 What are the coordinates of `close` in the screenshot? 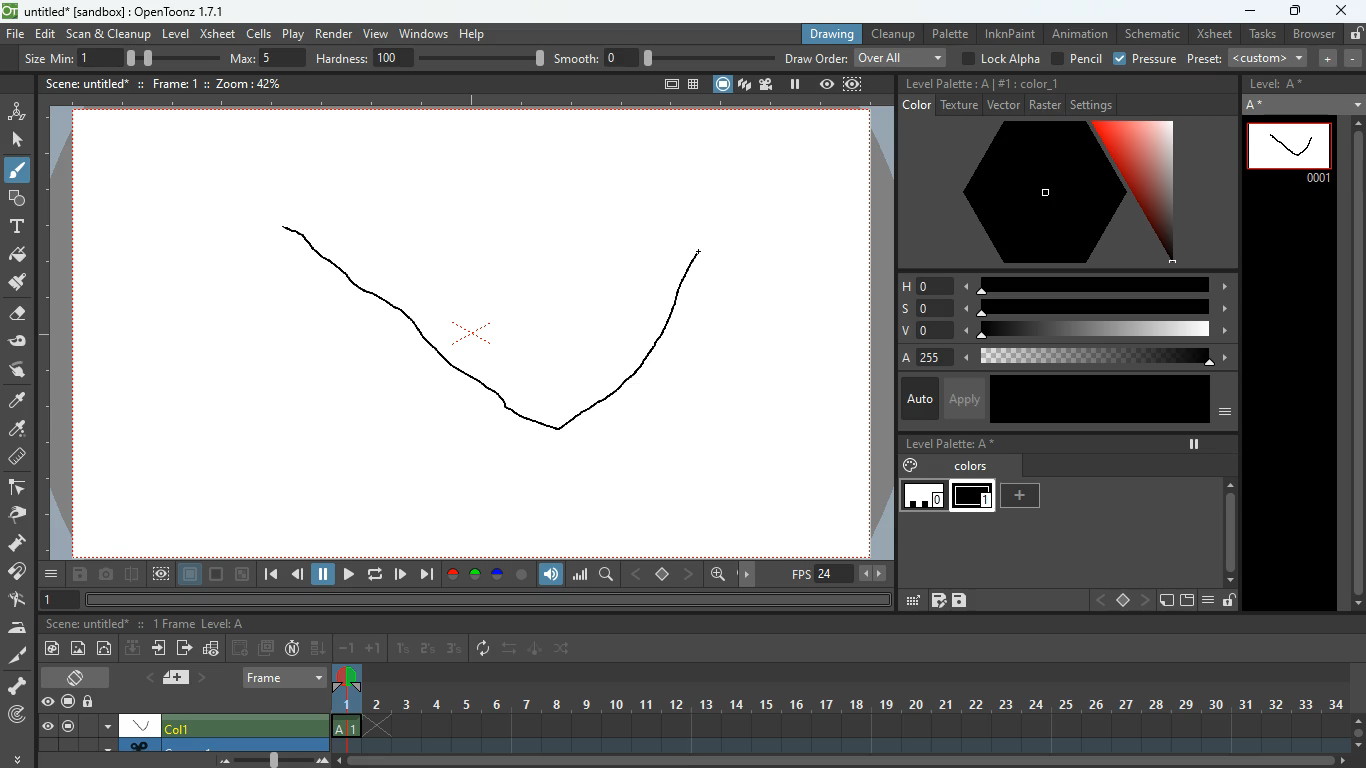 It's located at (1342, 9).